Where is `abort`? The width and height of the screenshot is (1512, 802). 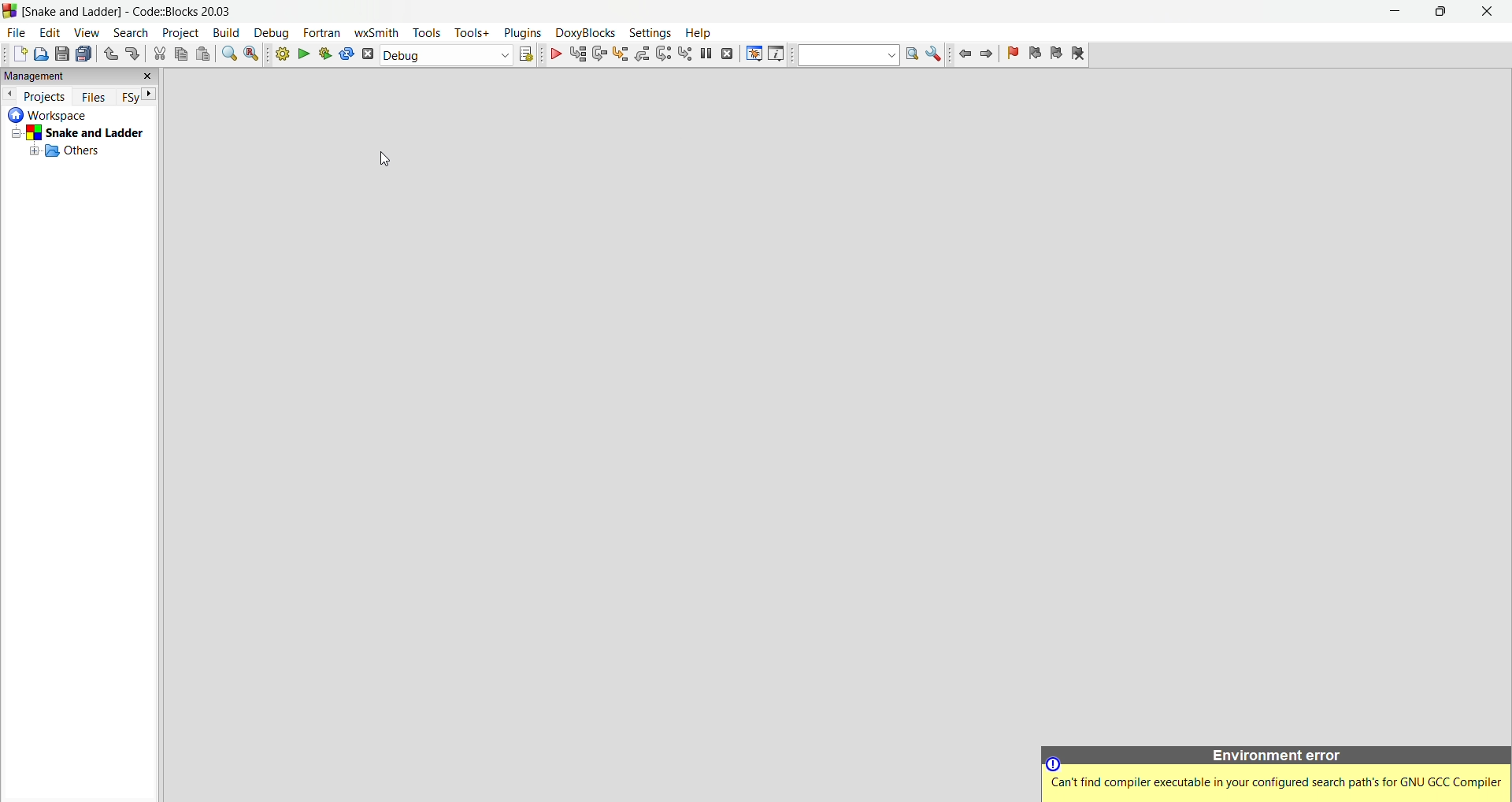 abort is located at coordinates (369, 57).